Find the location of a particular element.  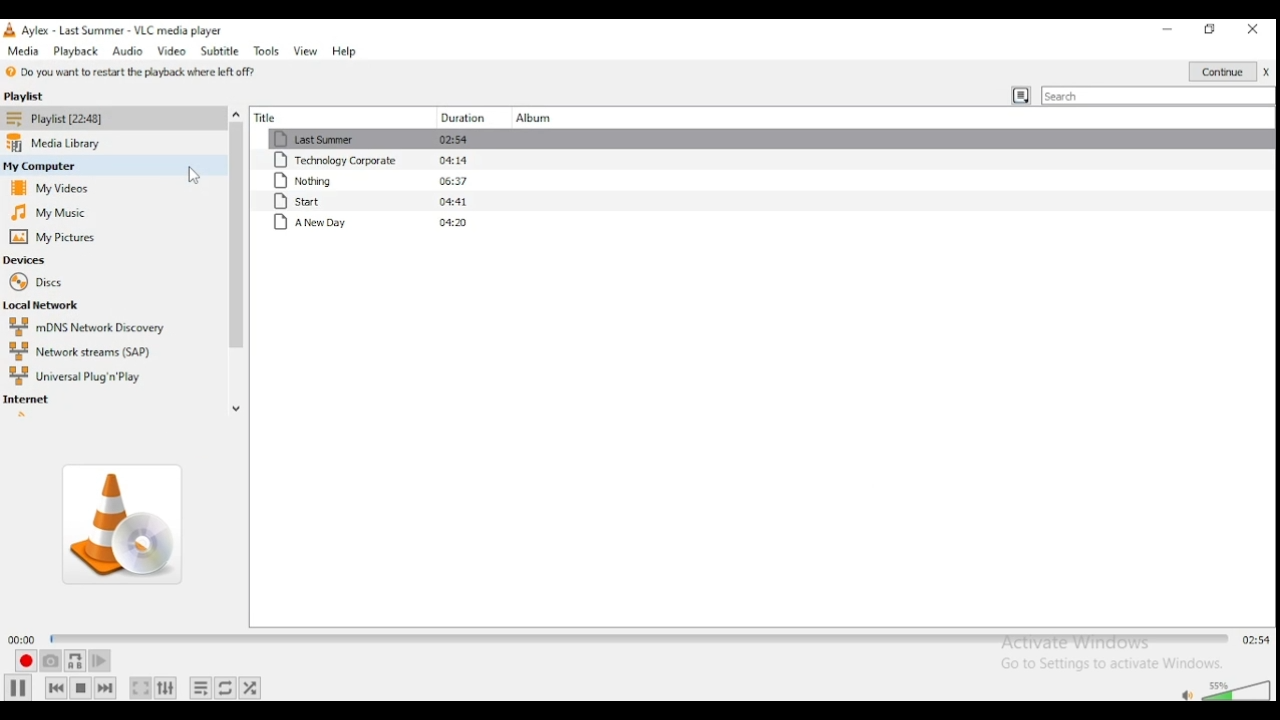

cursor is located at coordinates (187, 175).